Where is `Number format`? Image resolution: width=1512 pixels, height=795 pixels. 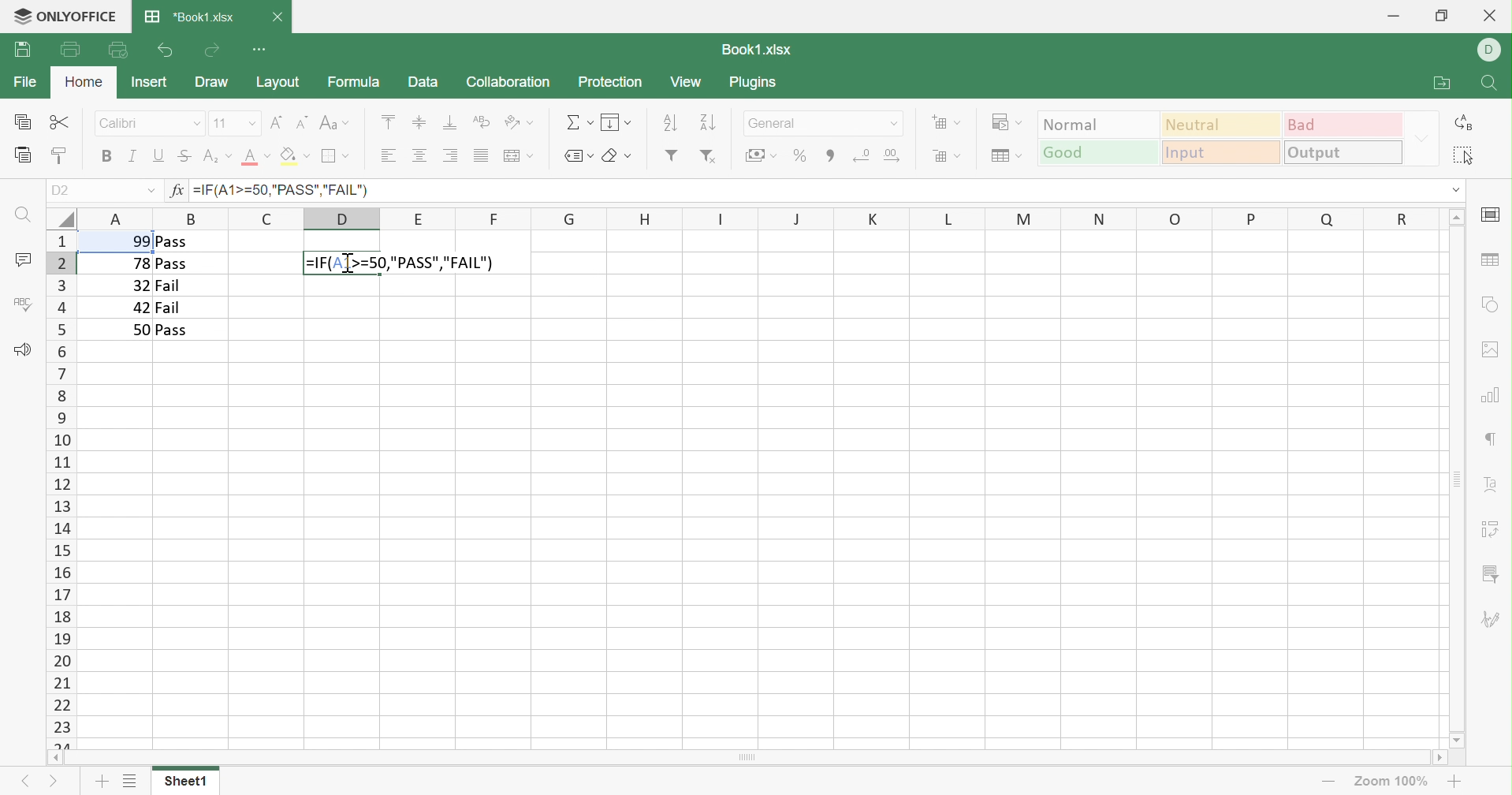
Number format is located at coordinates (822, 123).